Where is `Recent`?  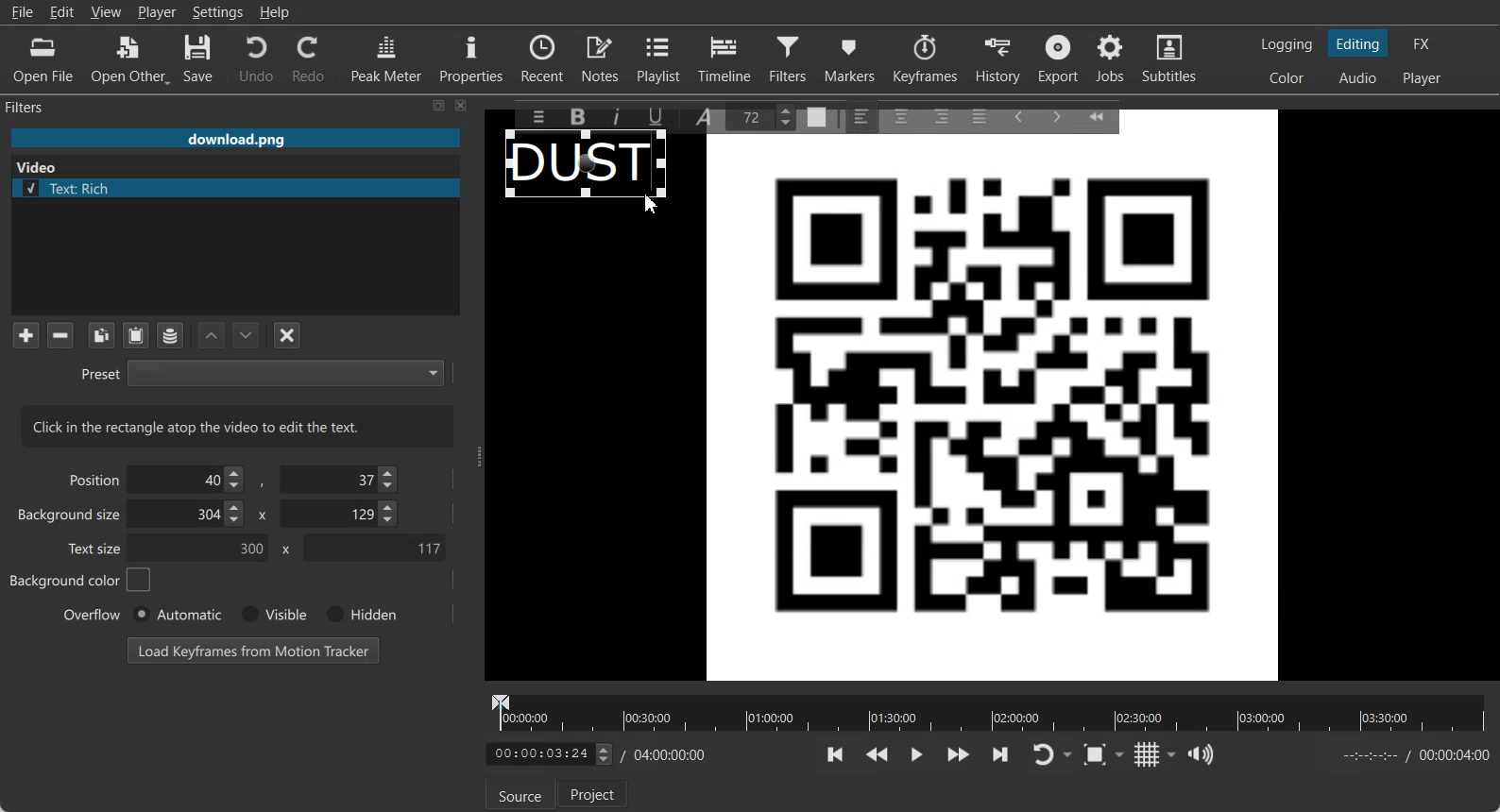 Recent is located at coordinates (542, 57).